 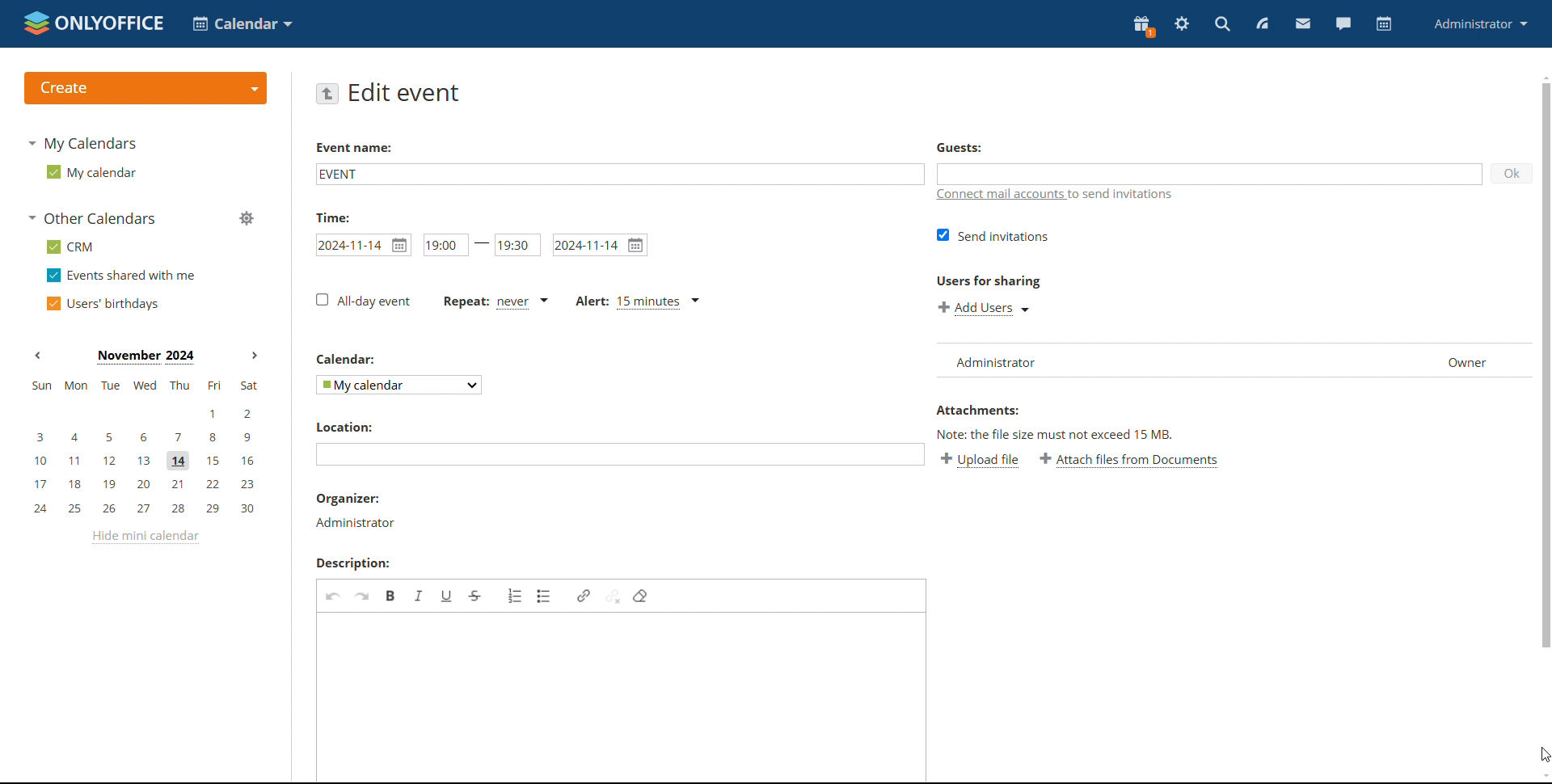 What do you see at coordinates (92, 23) in the screenshot?
I see `logo` at bounding box center [92, 23].